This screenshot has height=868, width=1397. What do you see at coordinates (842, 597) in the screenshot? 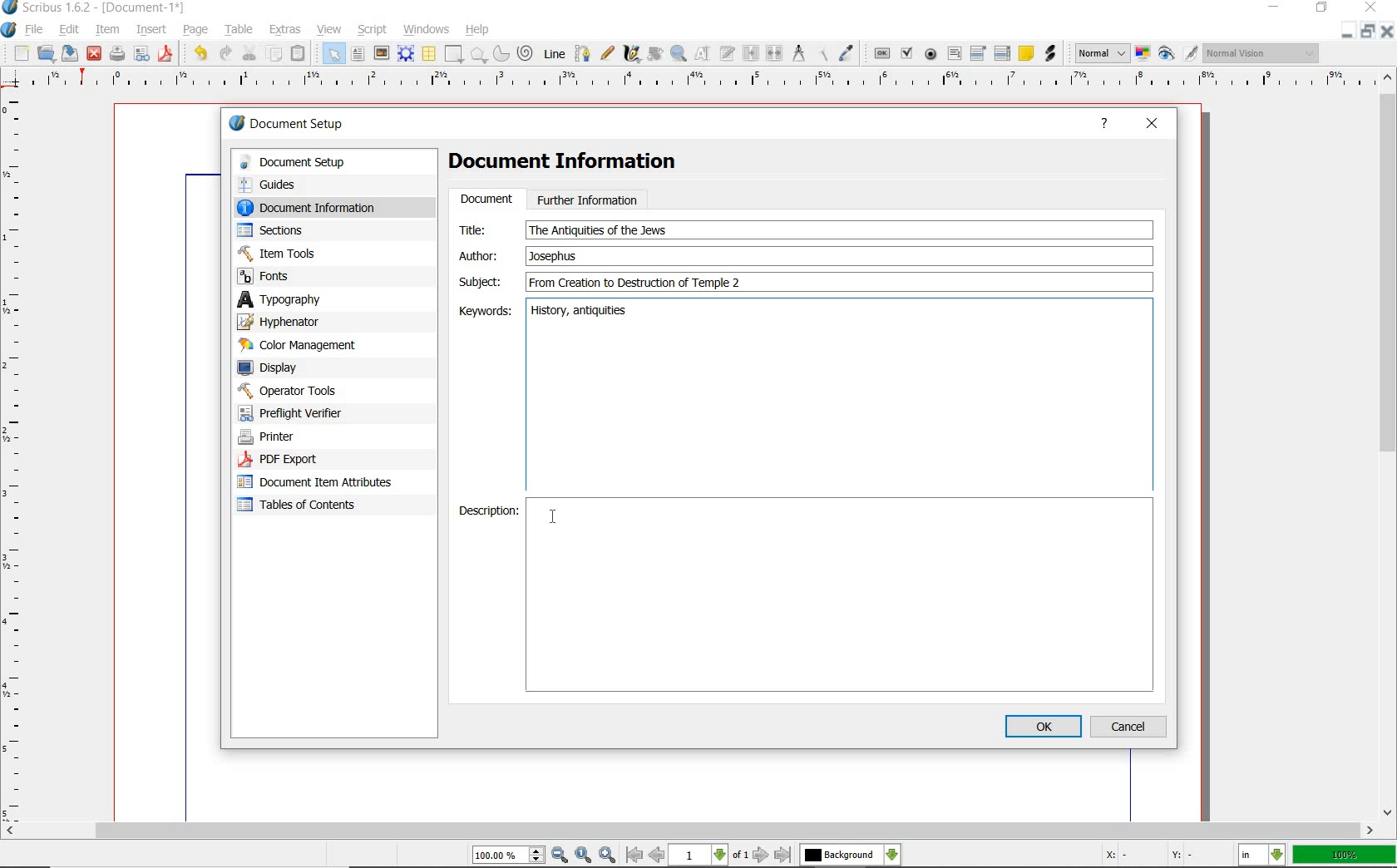
I see `Description` at bounding box center [842, 597].